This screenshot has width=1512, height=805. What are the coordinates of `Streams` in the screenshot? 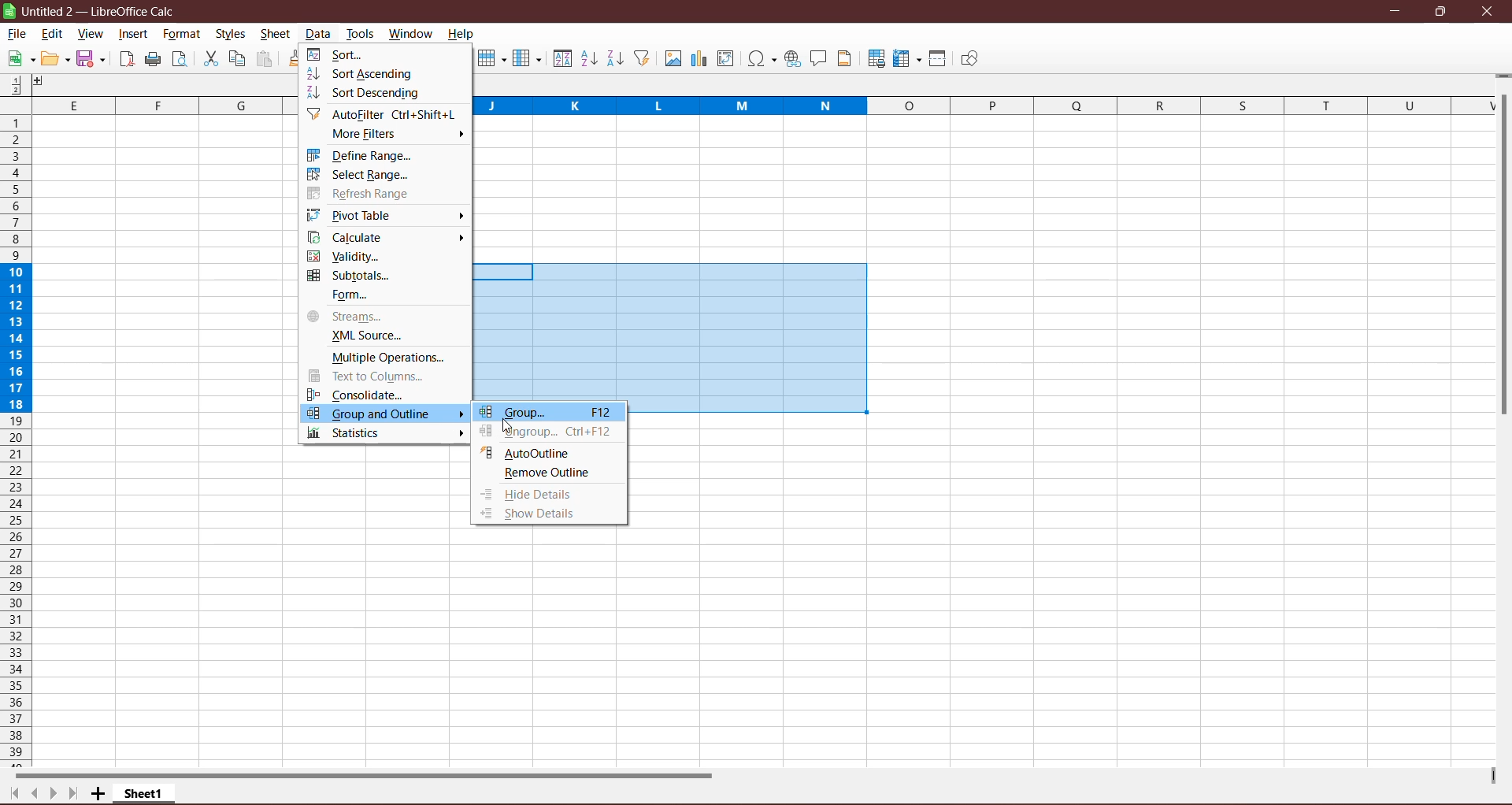 It's located at (347, 317).